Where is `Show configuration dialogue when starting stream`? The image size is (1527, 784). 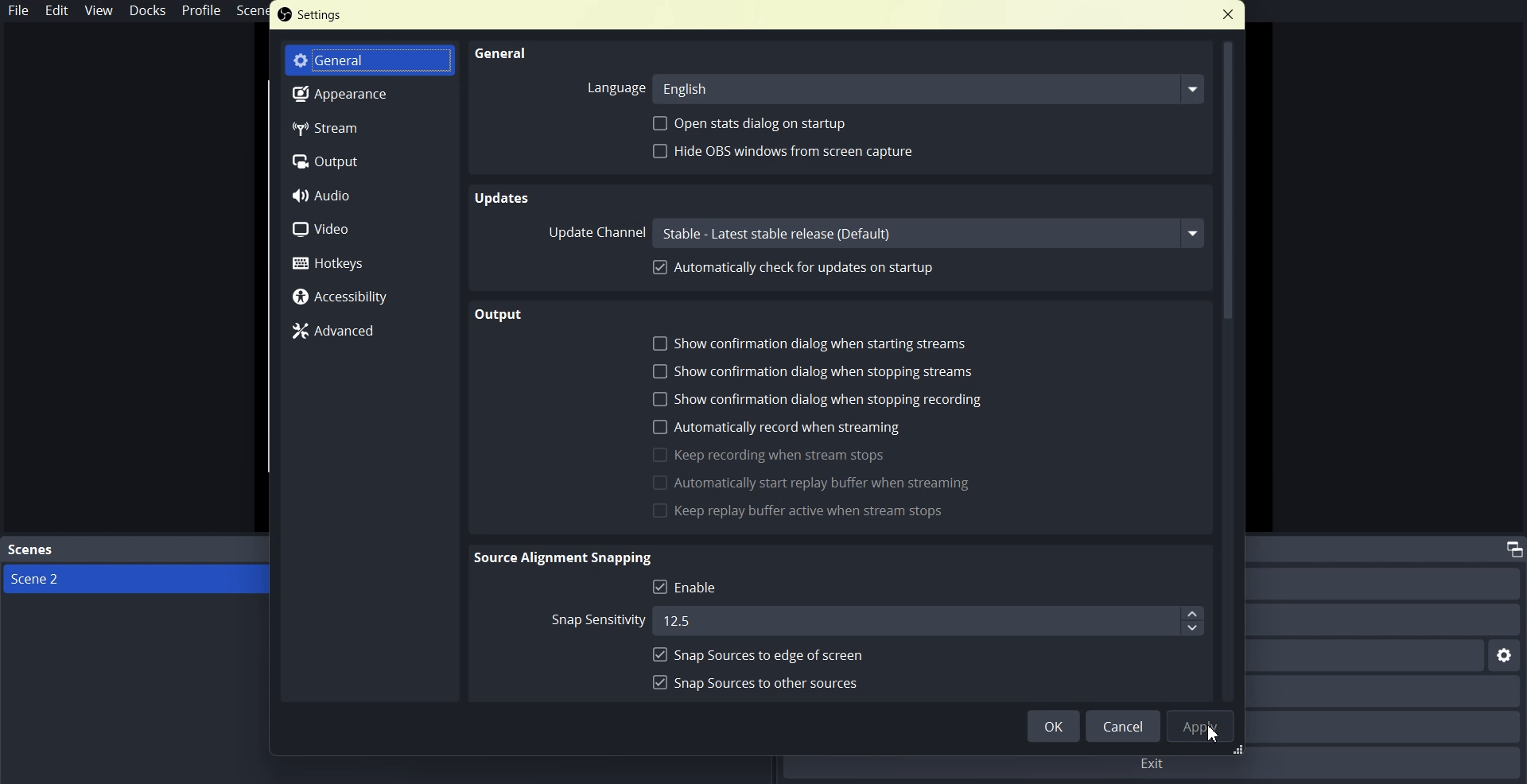
Show configuration dialogue when starting stream is located at coordinates (814, 343).